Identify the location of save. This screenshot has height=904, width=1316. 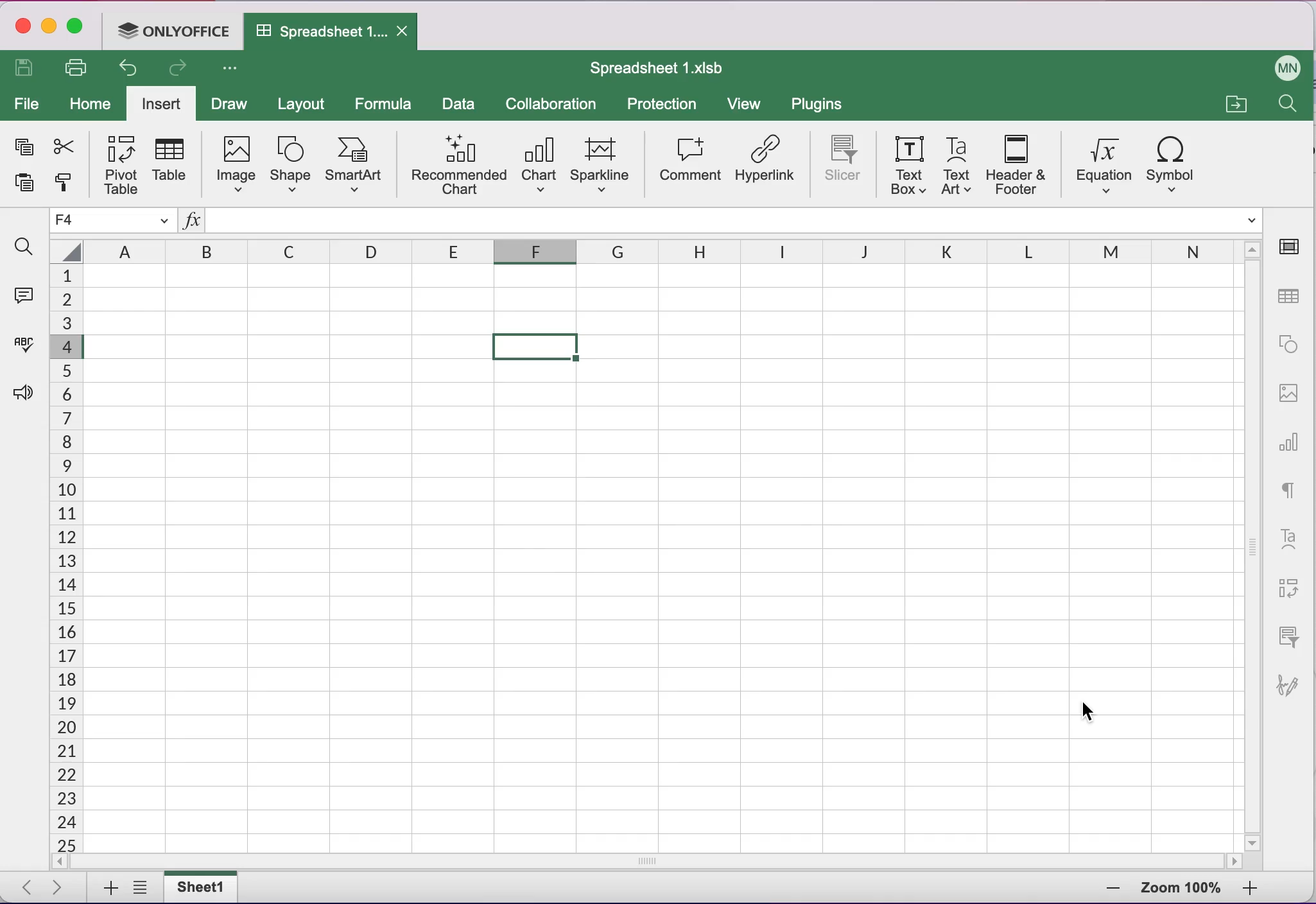
(27, 69).